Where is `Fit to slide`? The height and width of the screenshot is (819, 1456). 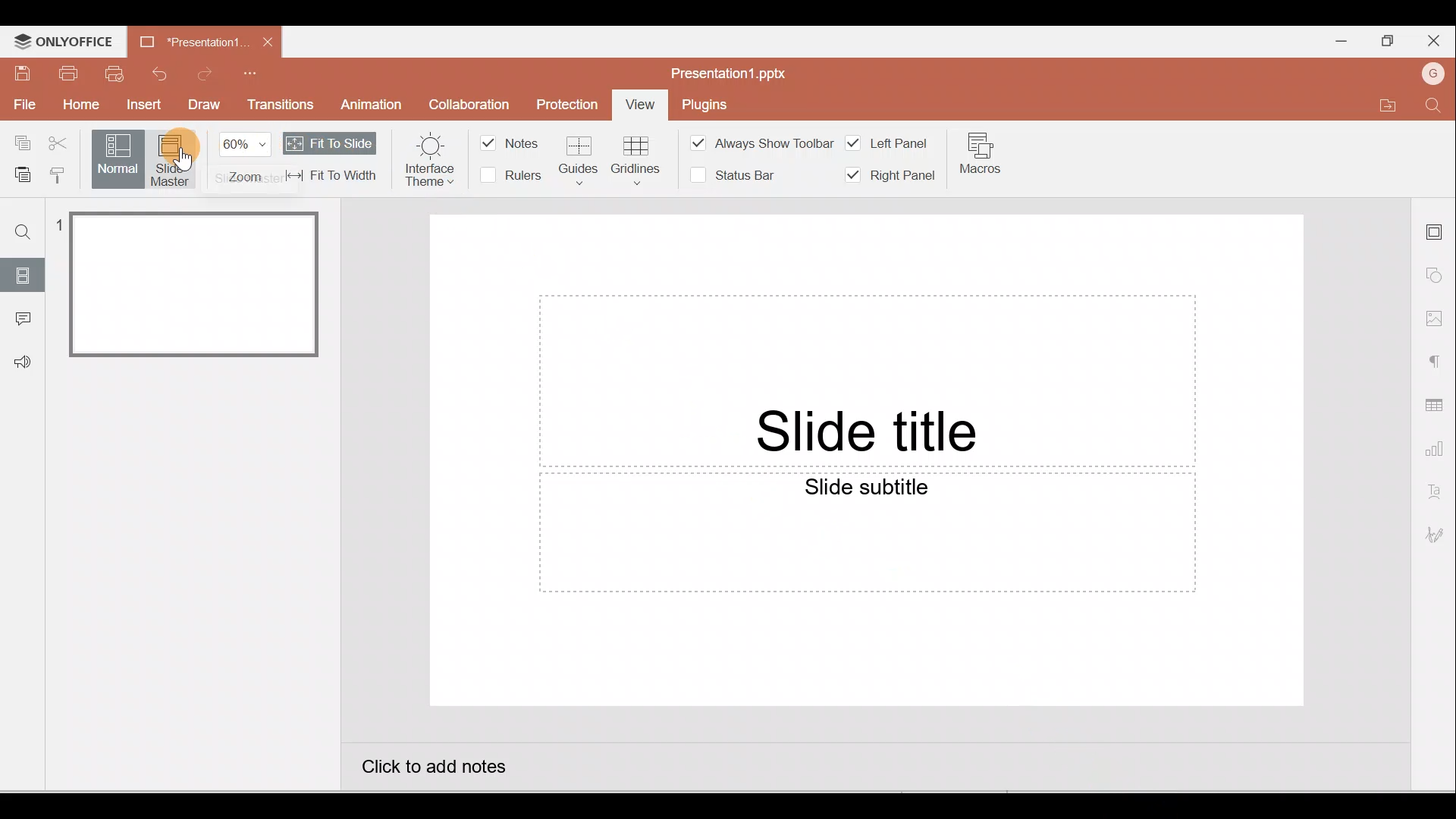
Fit to slide is located at coordinates (331, 143).